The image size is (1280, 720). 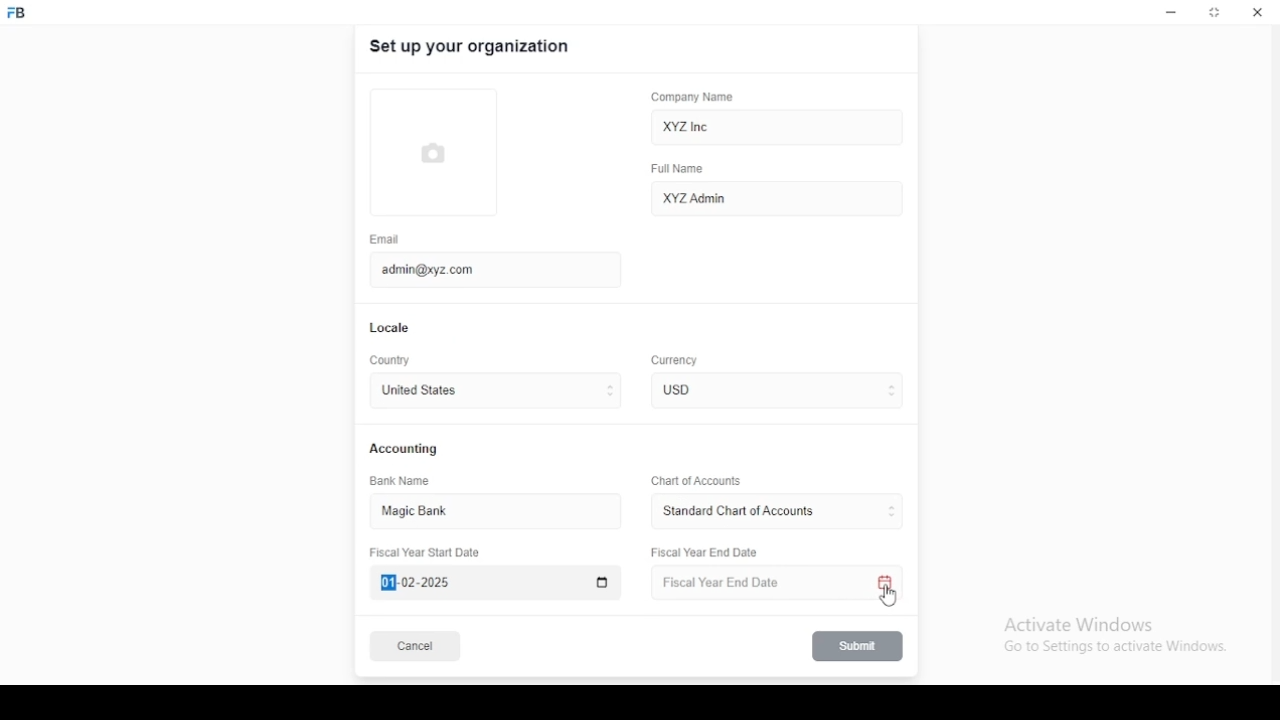 What do you see at coordinates (1255, 12) in the screenshot?
I see `close window` at bounding box center [1255, 12].